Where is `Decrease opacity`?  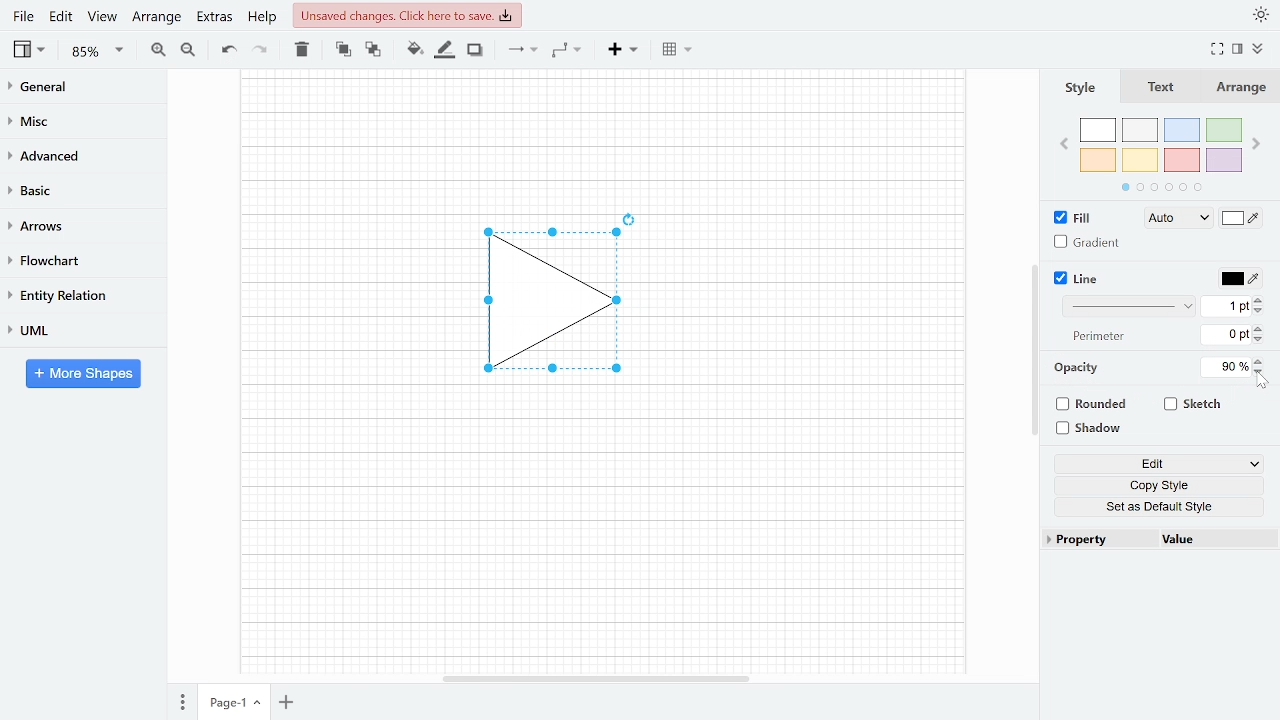
Decrease opacity is located at coordinates (1261, 372).